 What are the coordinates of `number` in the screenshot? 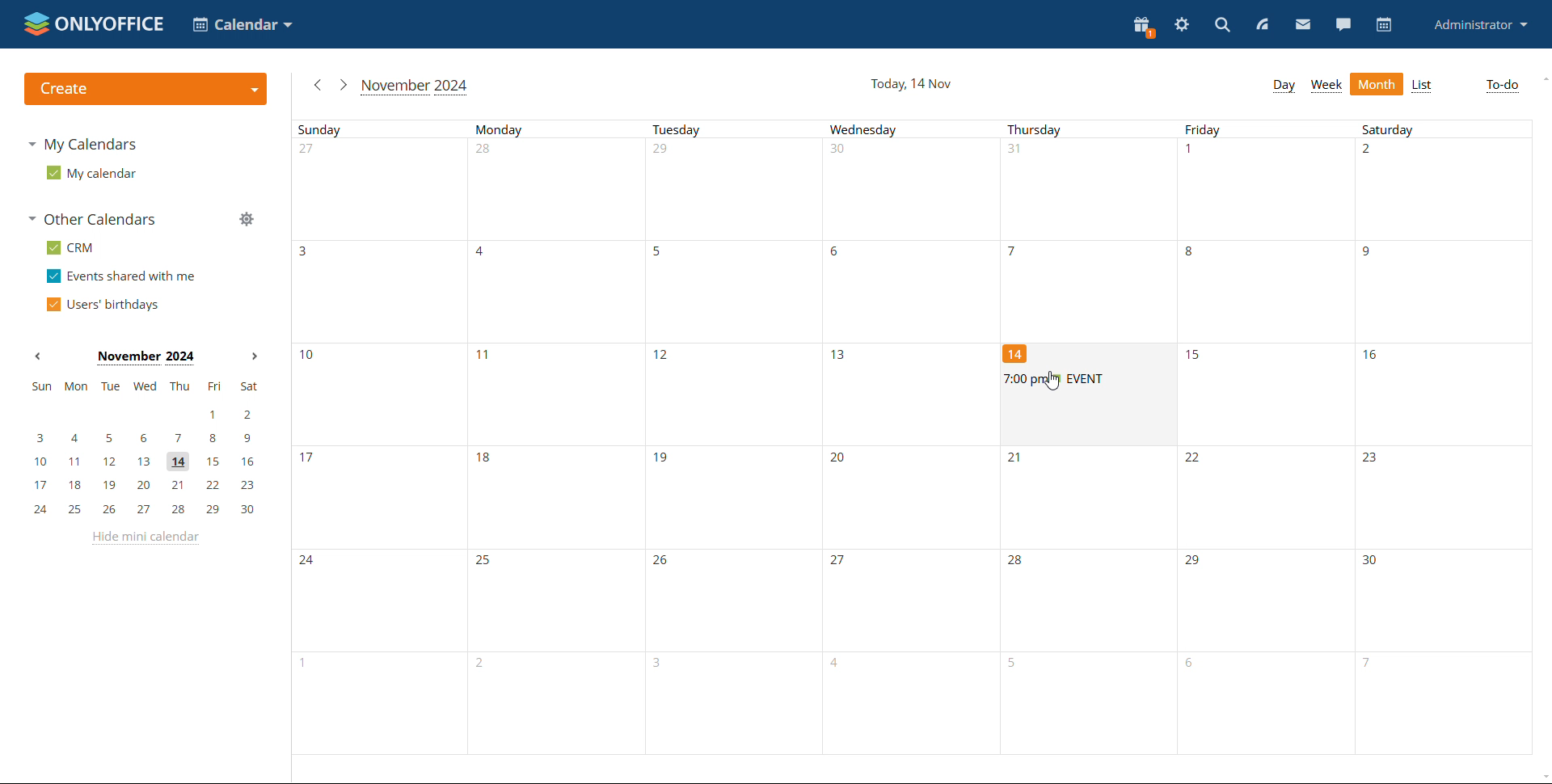 It's located at (843, 460).